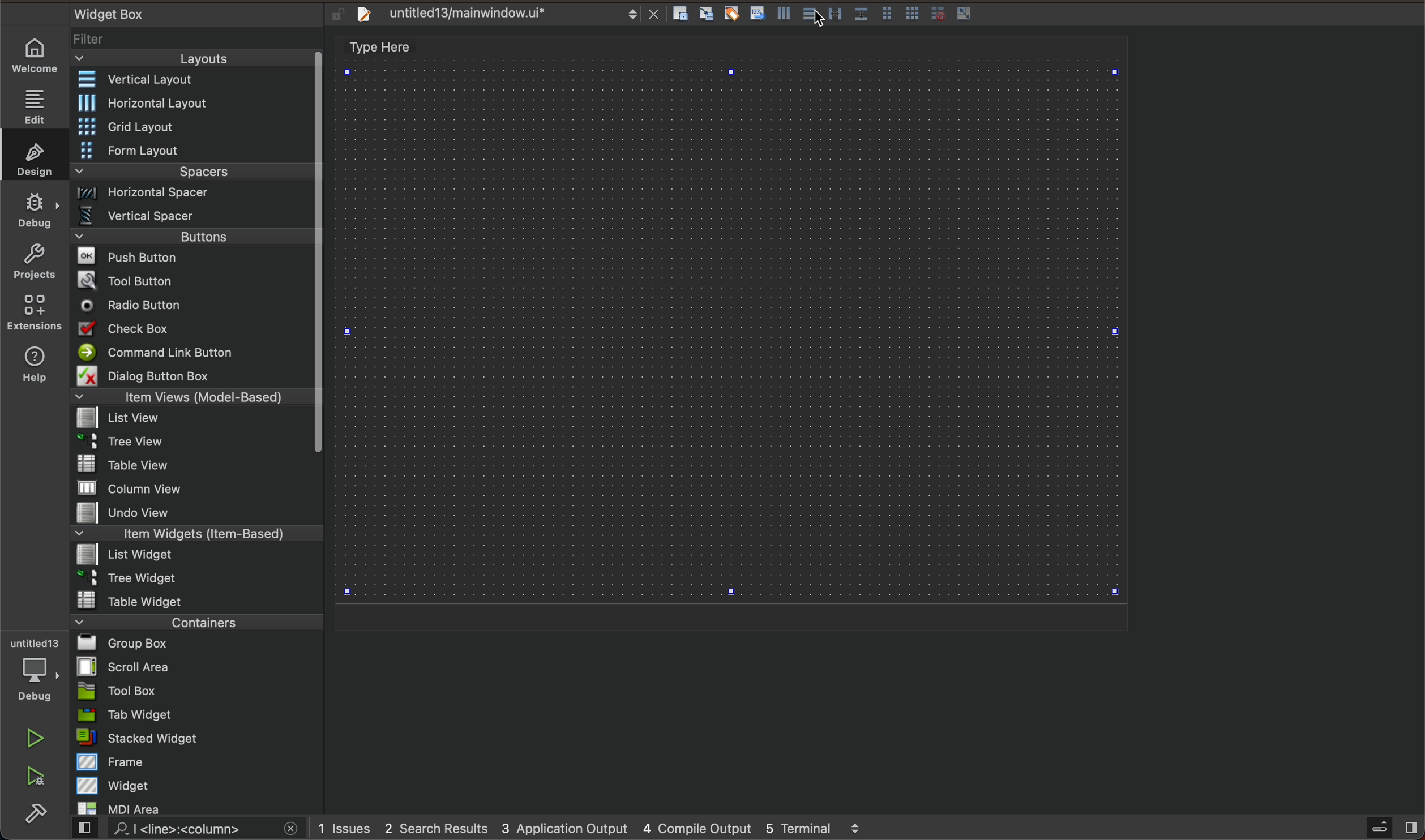 The width and height of the screenshot is (1425, 840). What do you see at coordinates (193, 149) in the screenshot?
I see `form layout` at bounding box center [193, 149].